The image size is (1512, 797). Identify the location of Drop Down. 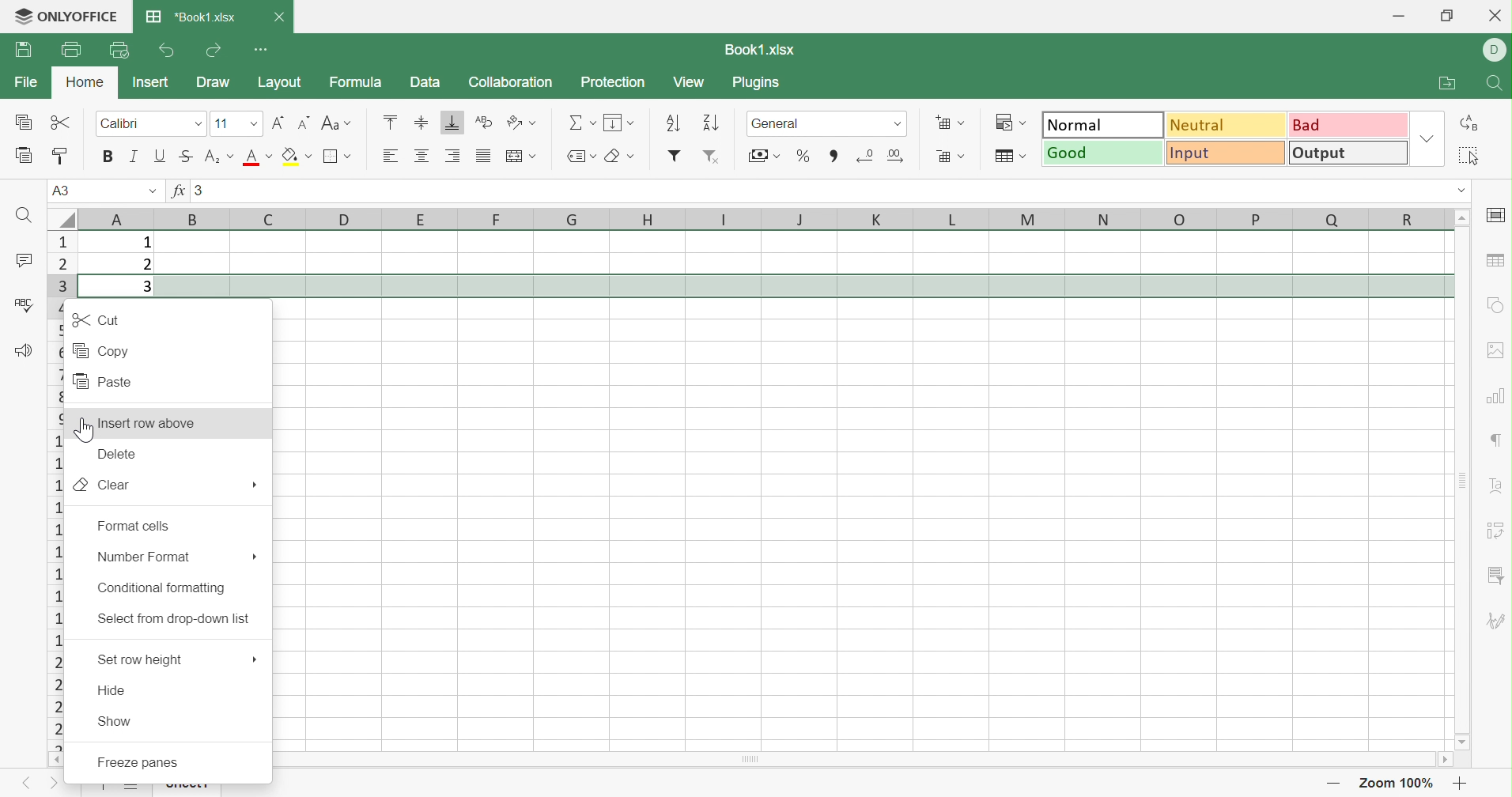
(963, 157).